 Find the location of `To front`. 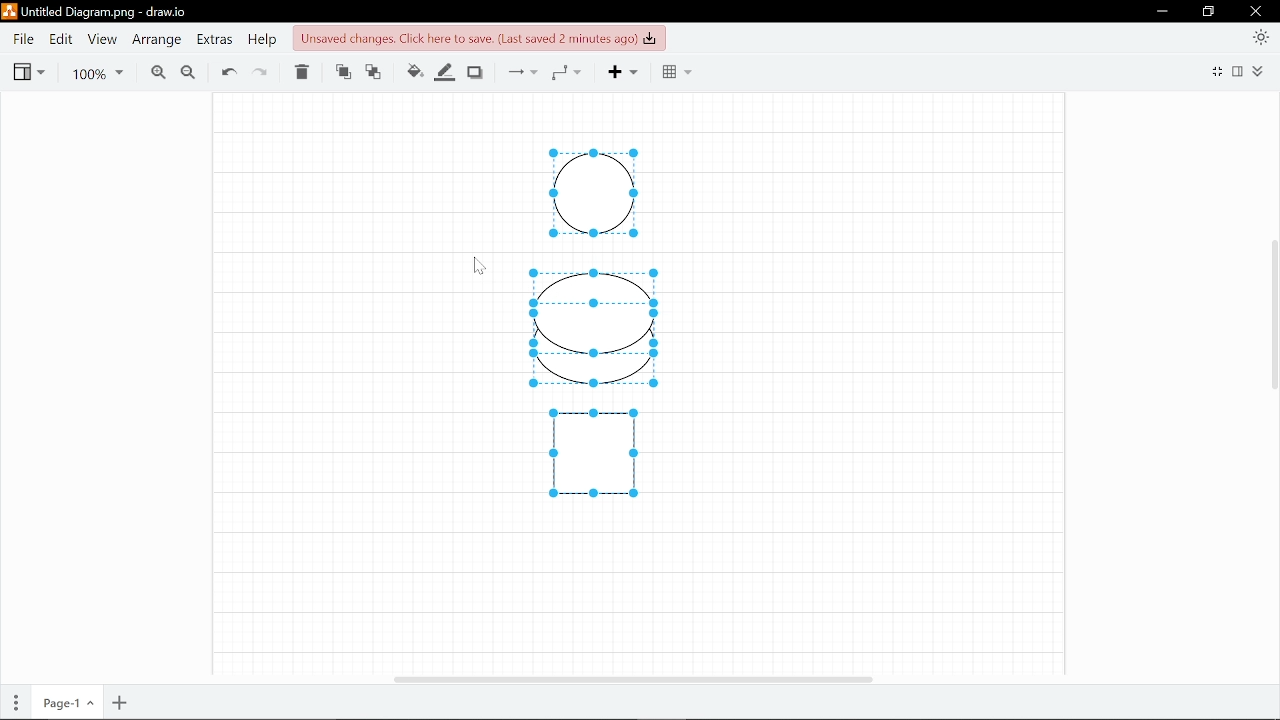

To front is located at coordinates (342, 73).